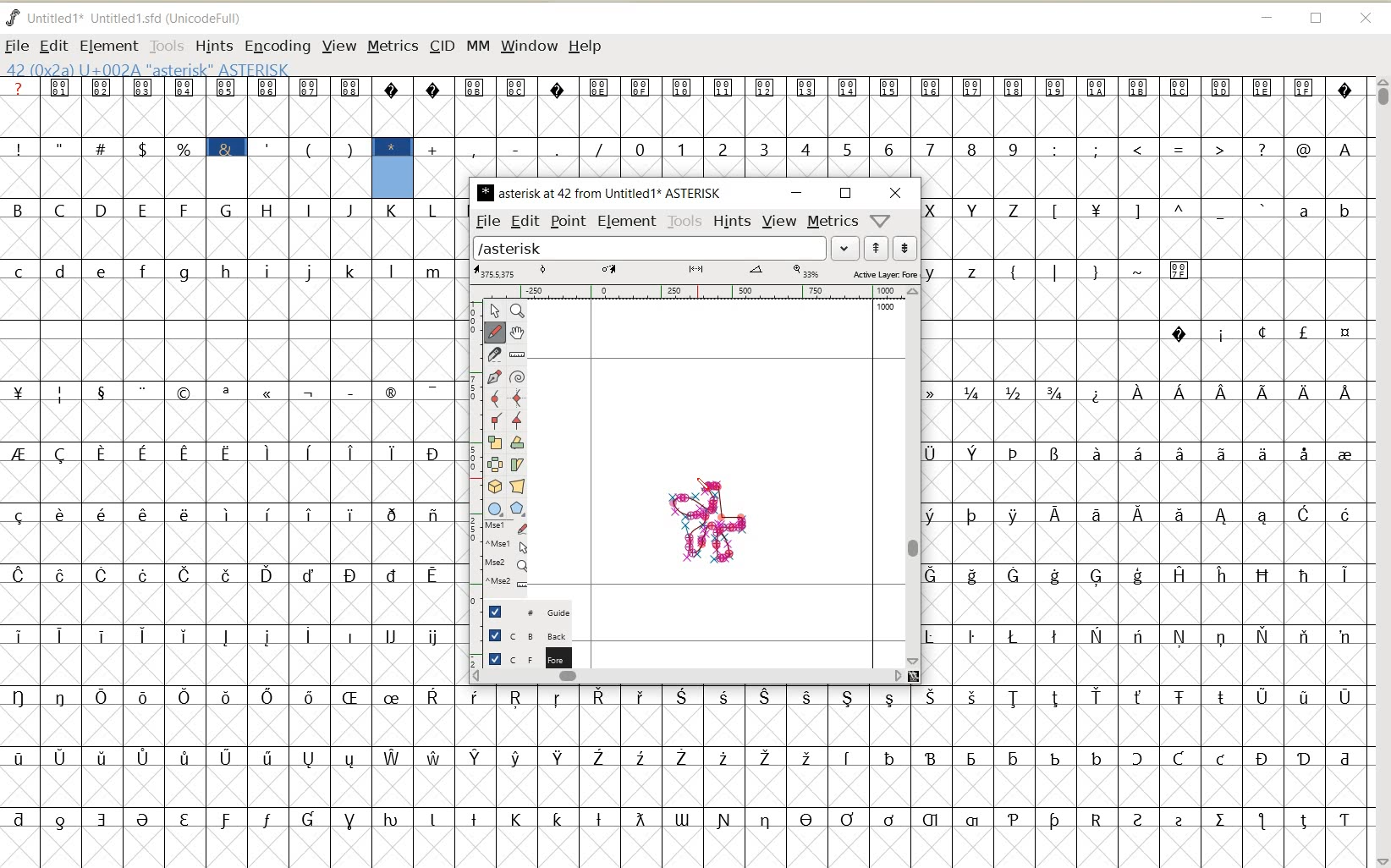 Image resolution: width=1391 pixels, height=868 pixels. Describe the element at coordinates (523, 634) in the screenshot. I see `BACKGROUND` at that location.